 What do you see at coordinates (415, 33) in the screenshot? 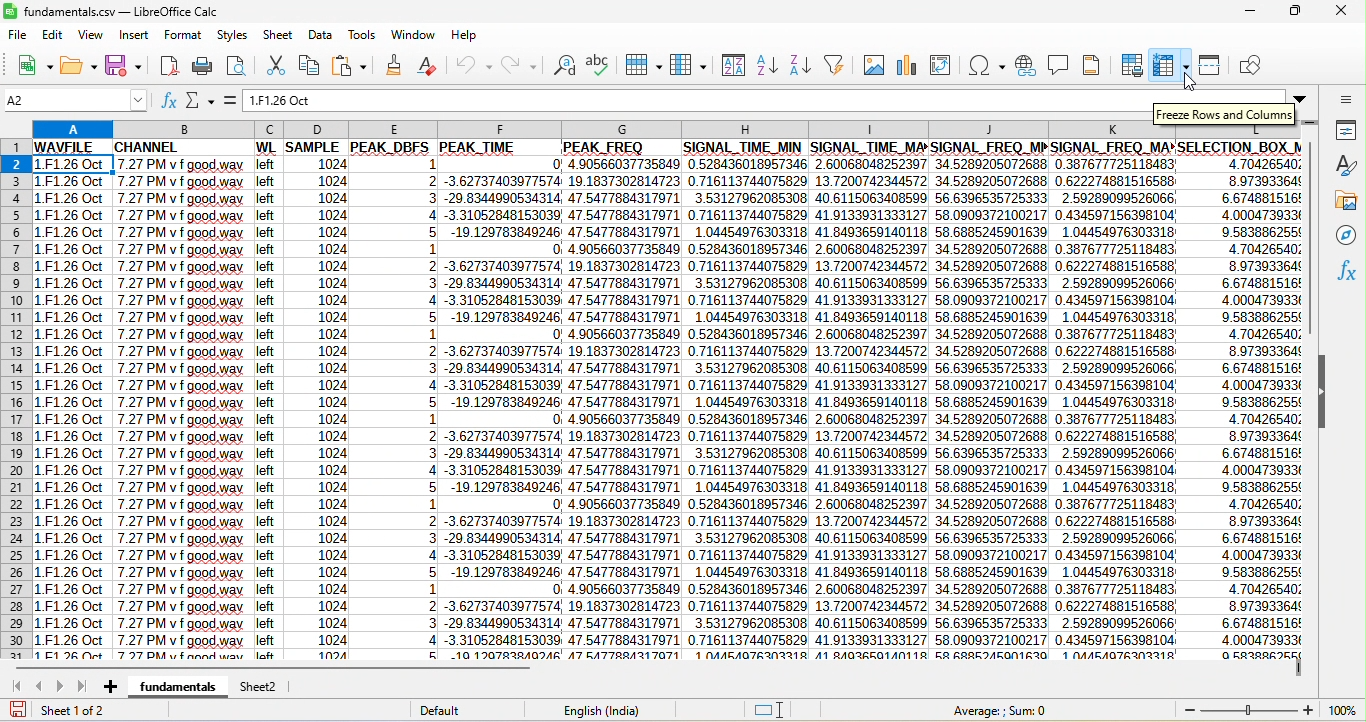
I see `window` at bounding box center [415, 33].